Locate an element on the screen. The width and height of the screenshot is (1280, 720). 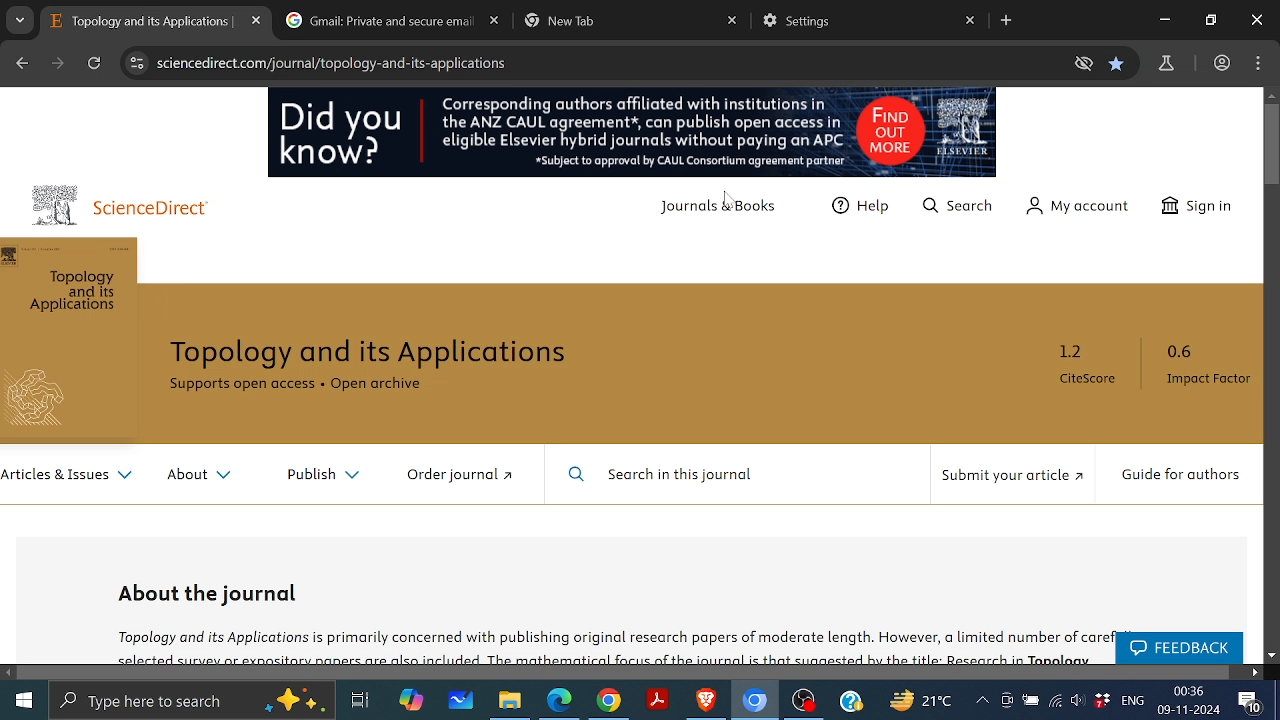
whiteboard is located at coordinates (462, 703).